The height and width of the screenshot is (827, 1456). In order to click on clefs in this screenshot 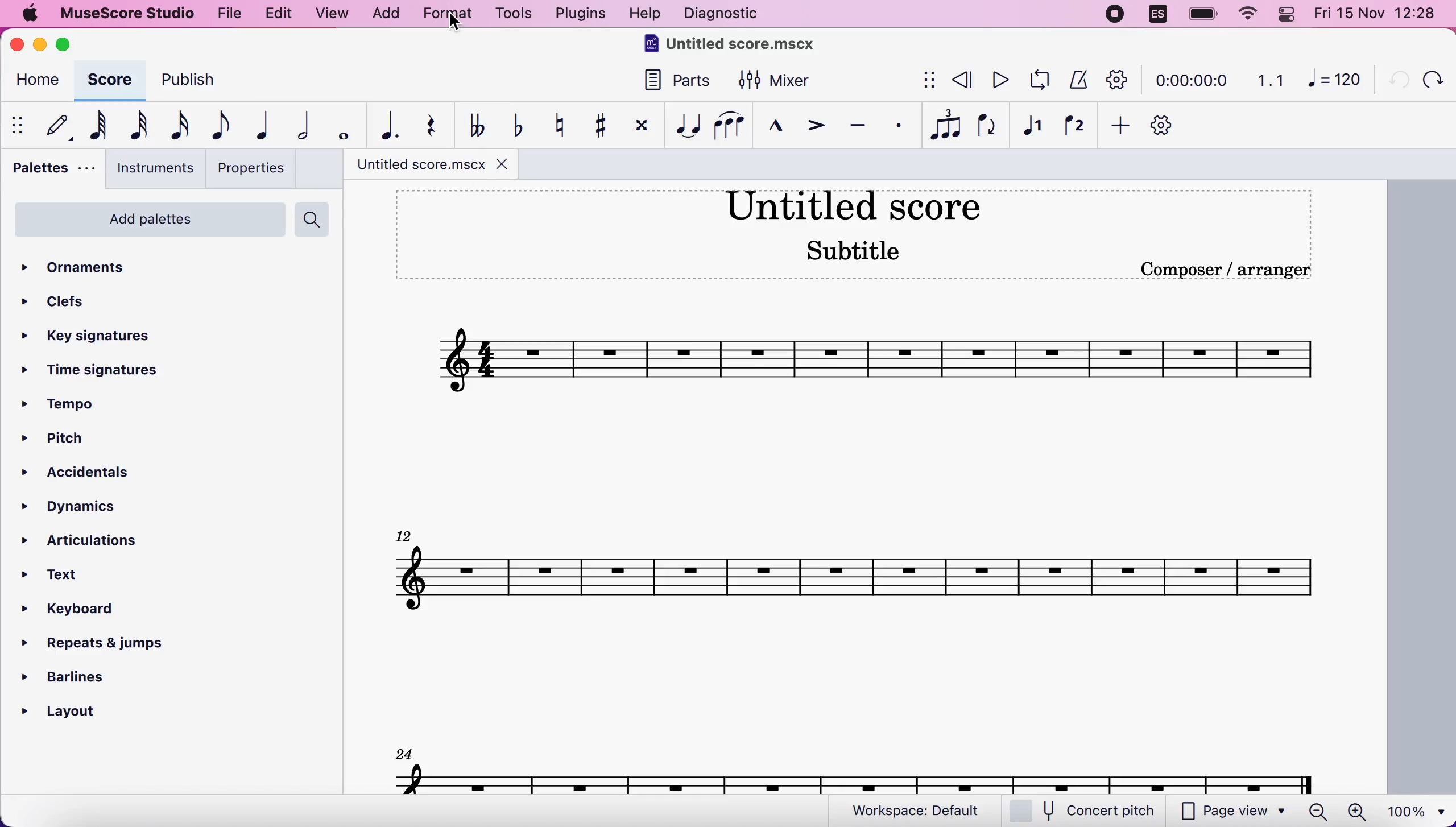, I will do `click(57, 301)`.